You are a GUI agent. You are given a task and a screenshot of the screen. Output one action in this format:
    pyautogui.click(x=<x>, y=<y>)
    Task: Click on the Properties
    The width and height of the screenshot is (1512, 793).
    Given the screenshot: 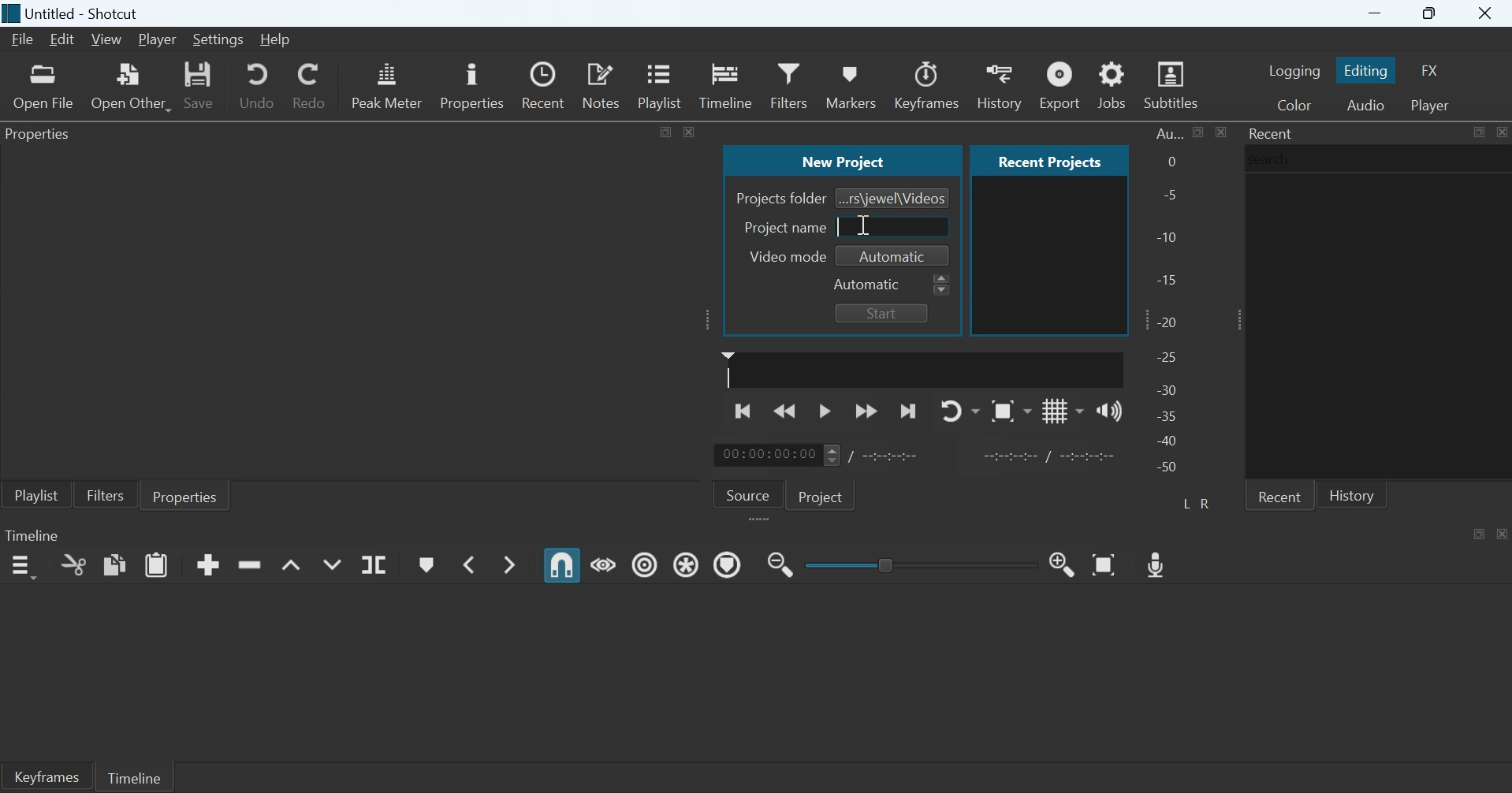 What is the action you would take?
    pyautogui.click(x=43, y=136)
    